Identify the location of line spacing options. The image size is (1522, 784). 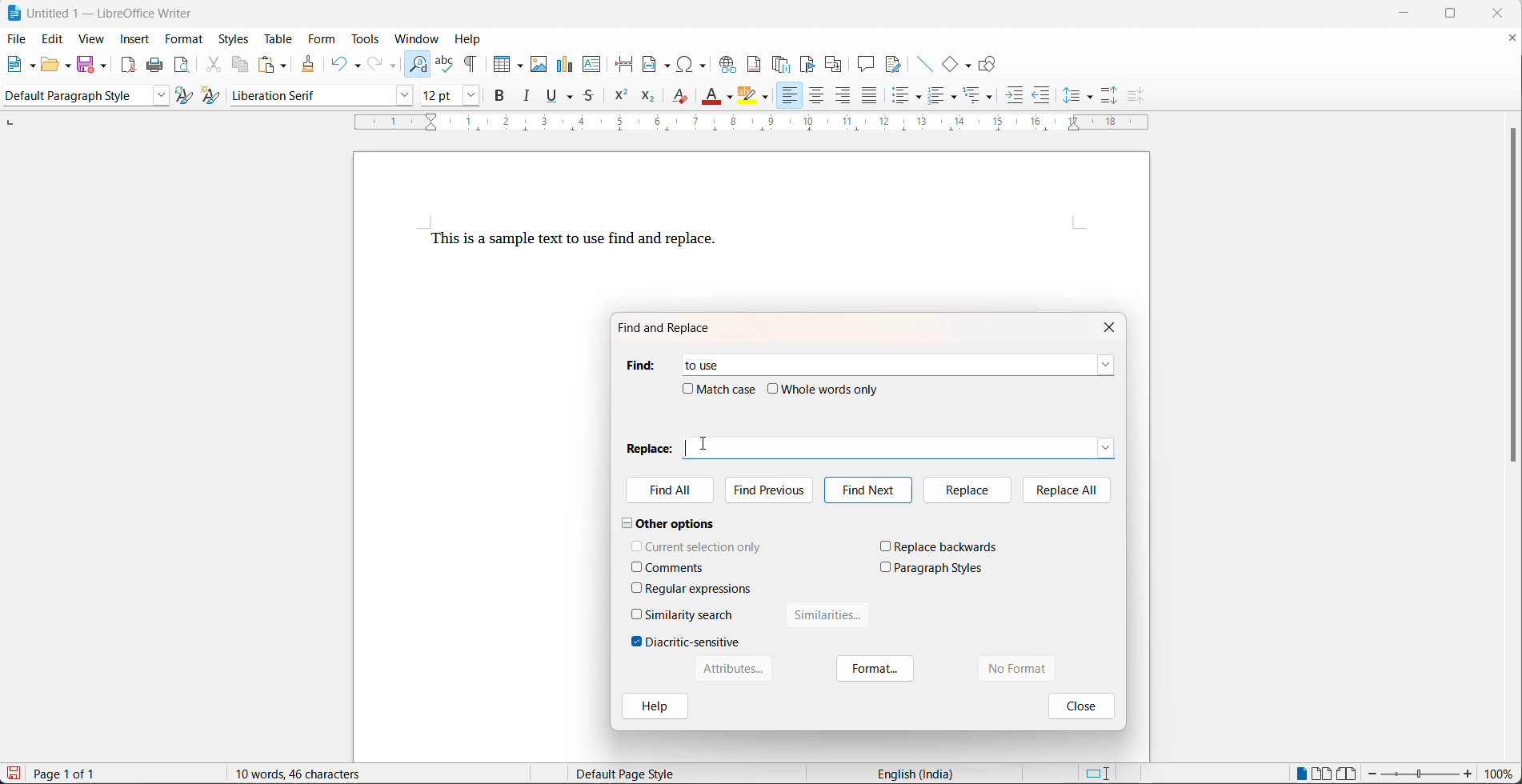
(1071, 96).